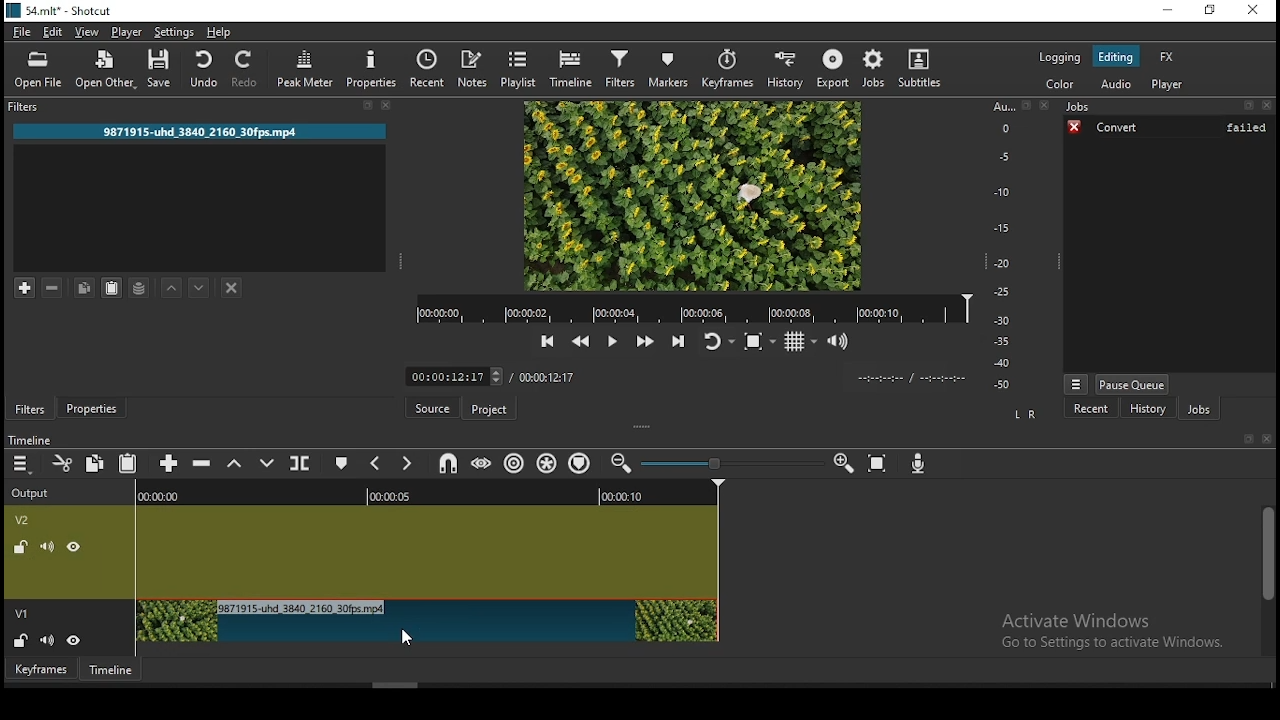 The image size is (1280, 720). Describe the element at coordinates (610, 340) in the screenshot. I see `play/pause` at that location.